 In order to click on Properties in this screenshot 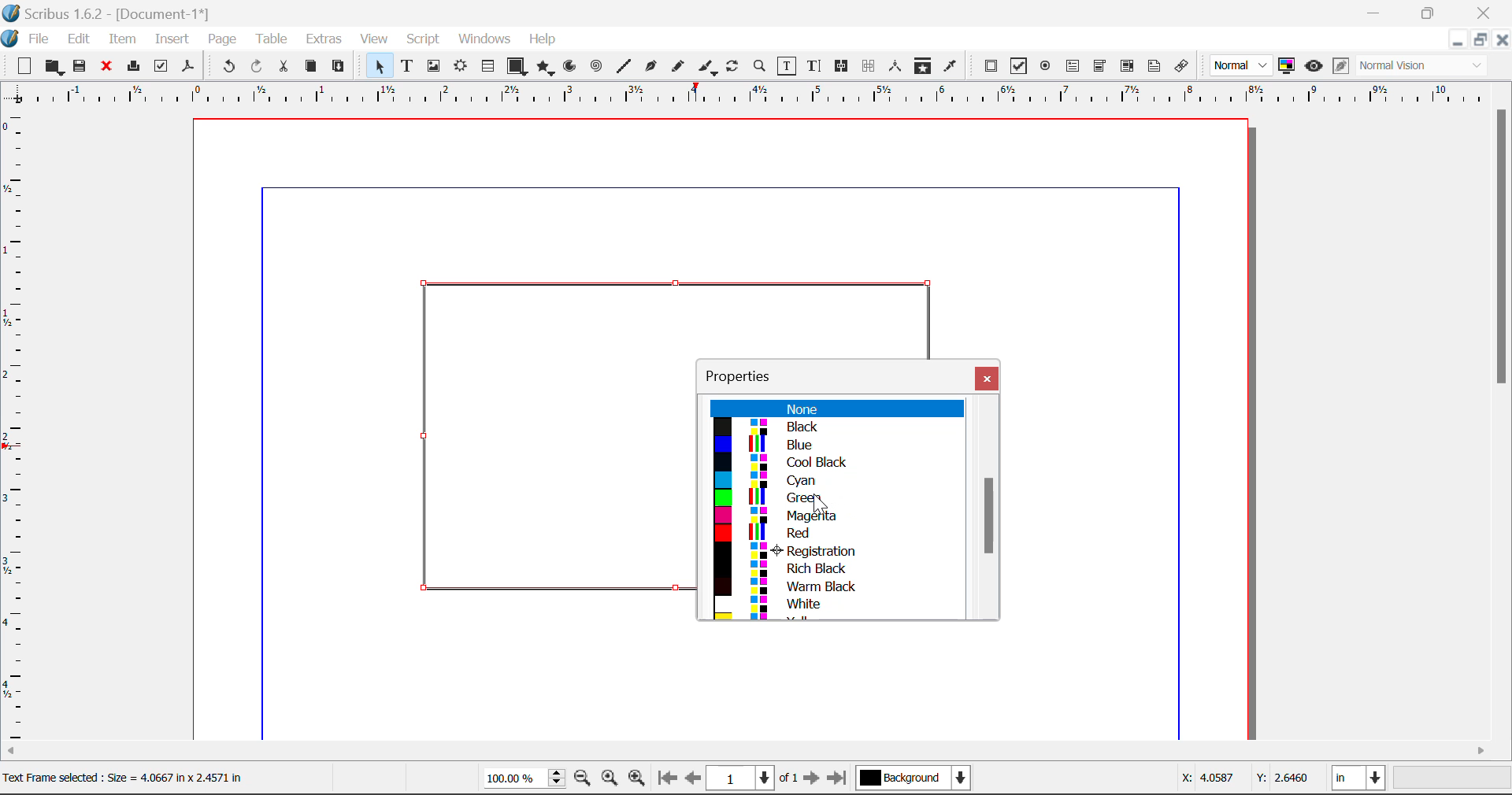, I will do `click(748, 374)`.